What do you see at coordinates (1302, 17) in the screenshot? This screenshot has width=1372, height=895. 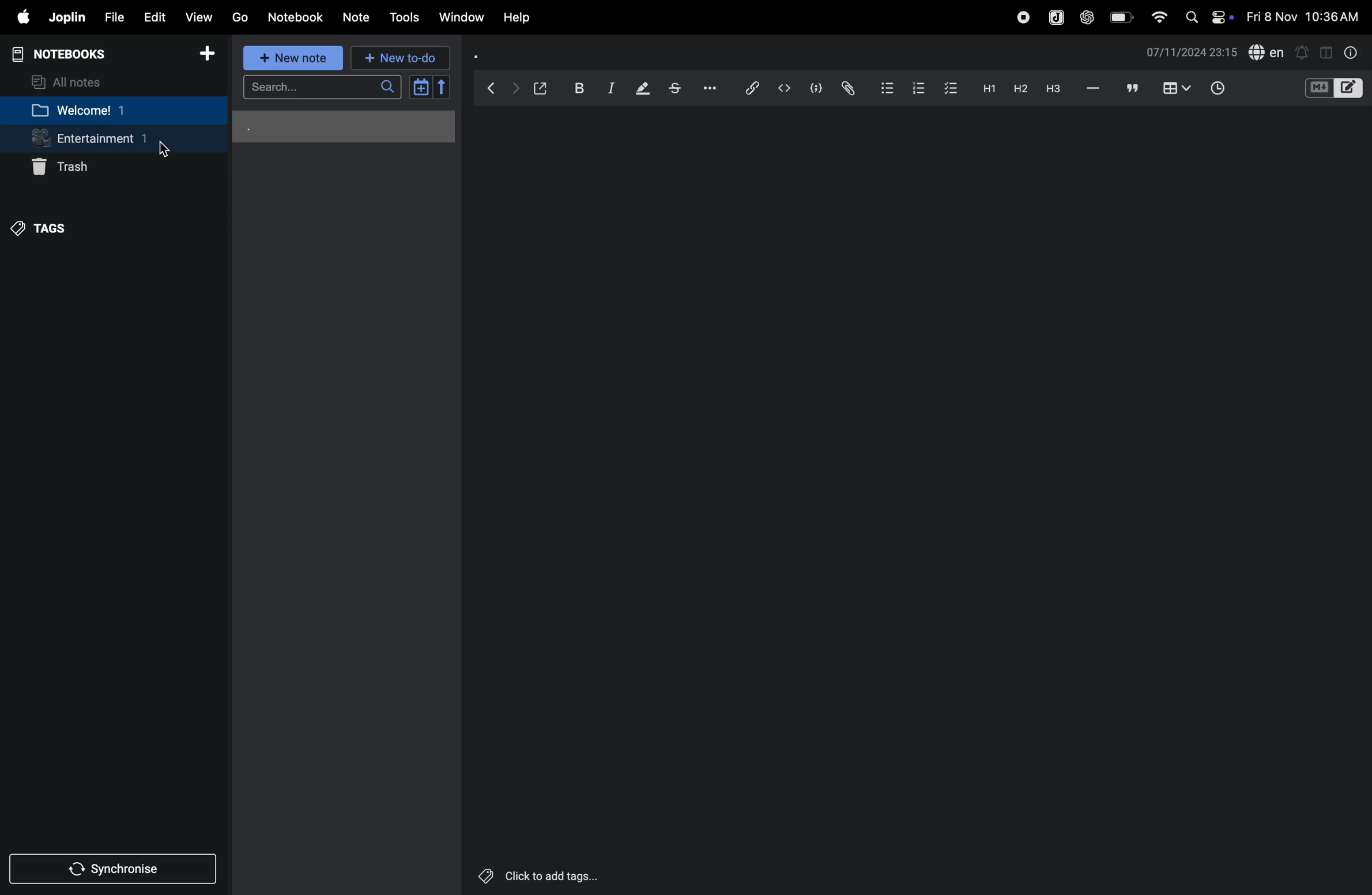 I see `time and date` at bounding box center [1302, 17].